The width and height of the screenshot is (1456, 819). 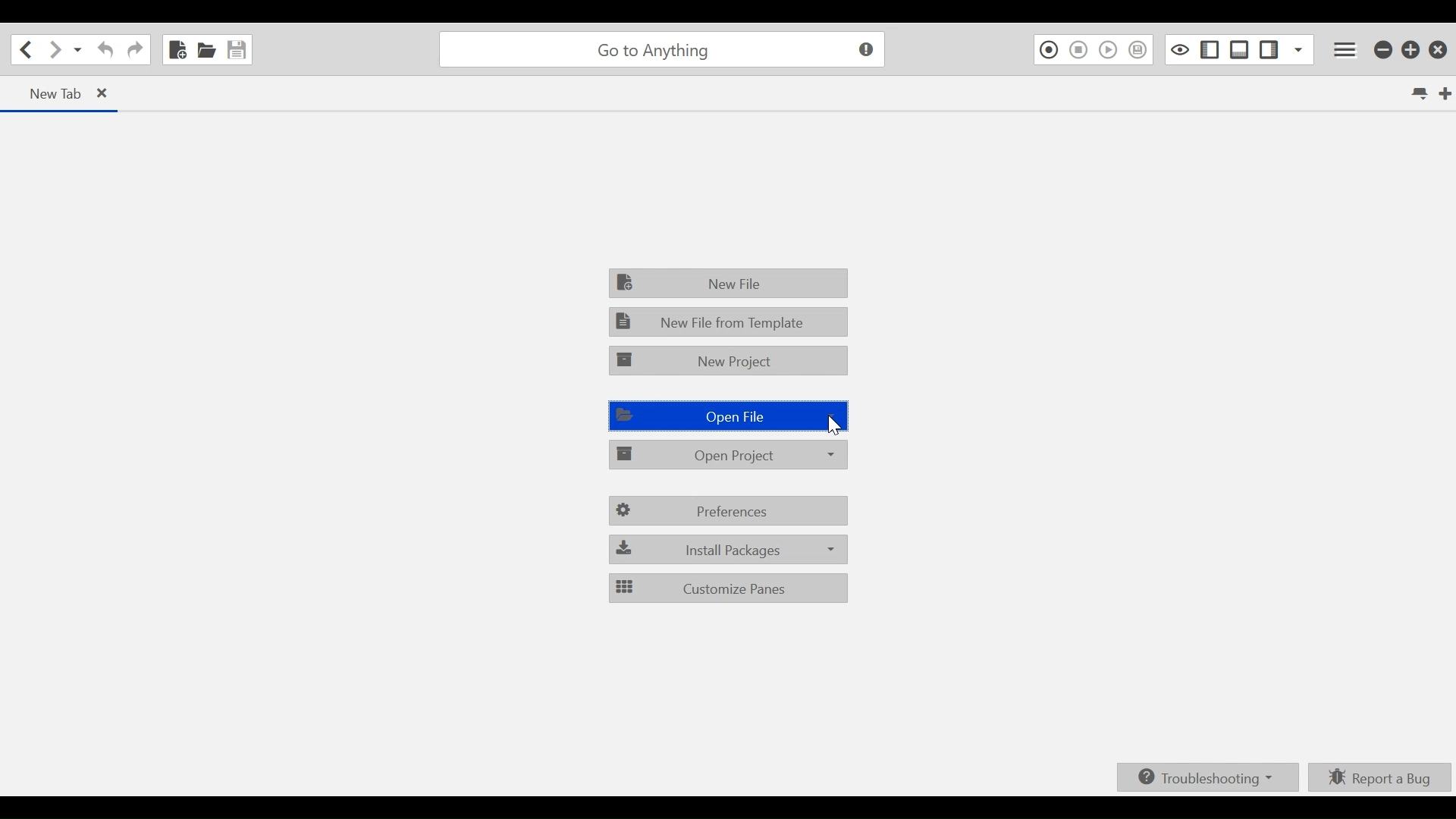 I want to click on Undo, so click(x=106, y=49).